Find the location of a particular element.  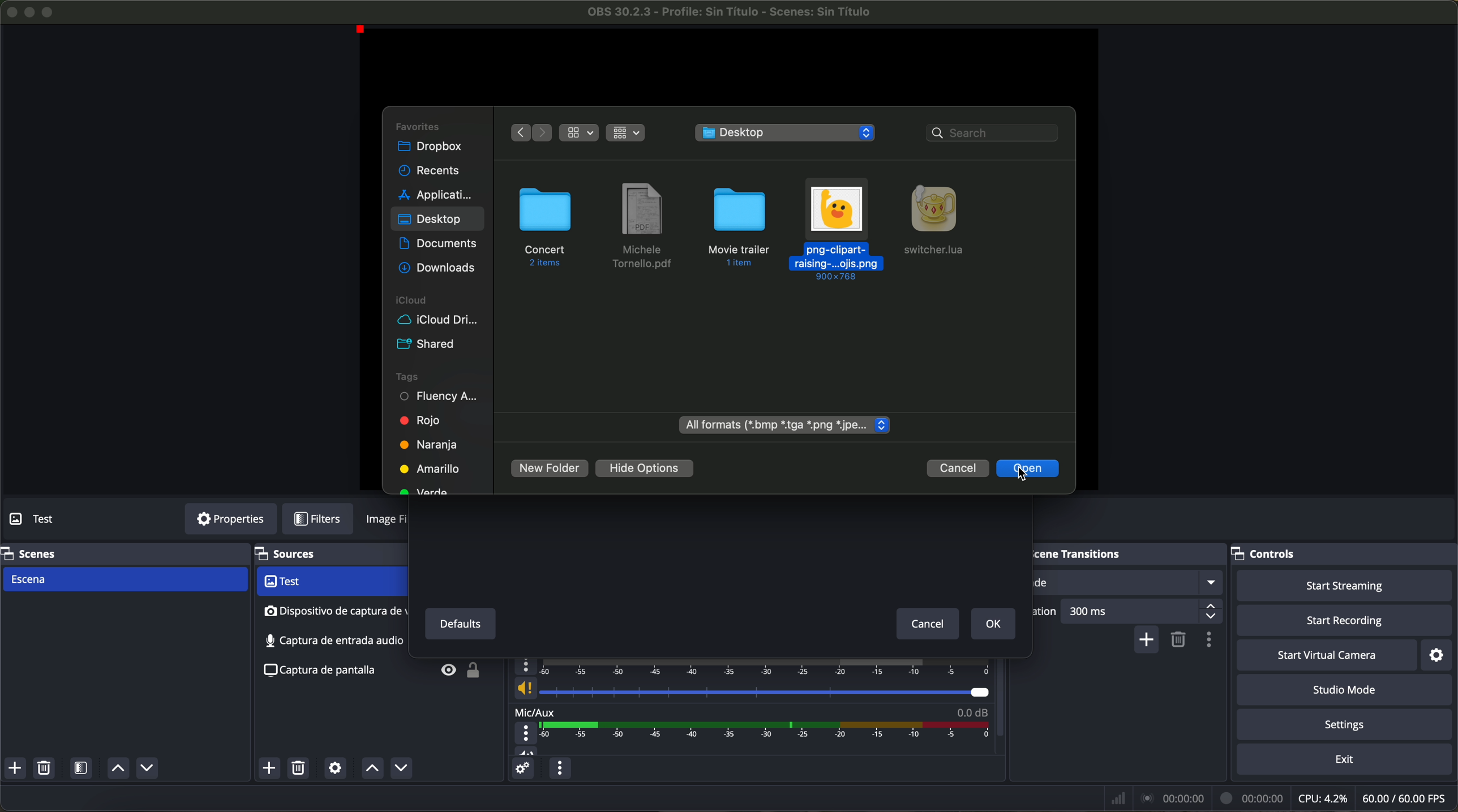

move scene down is located at coordinates (147, 770).